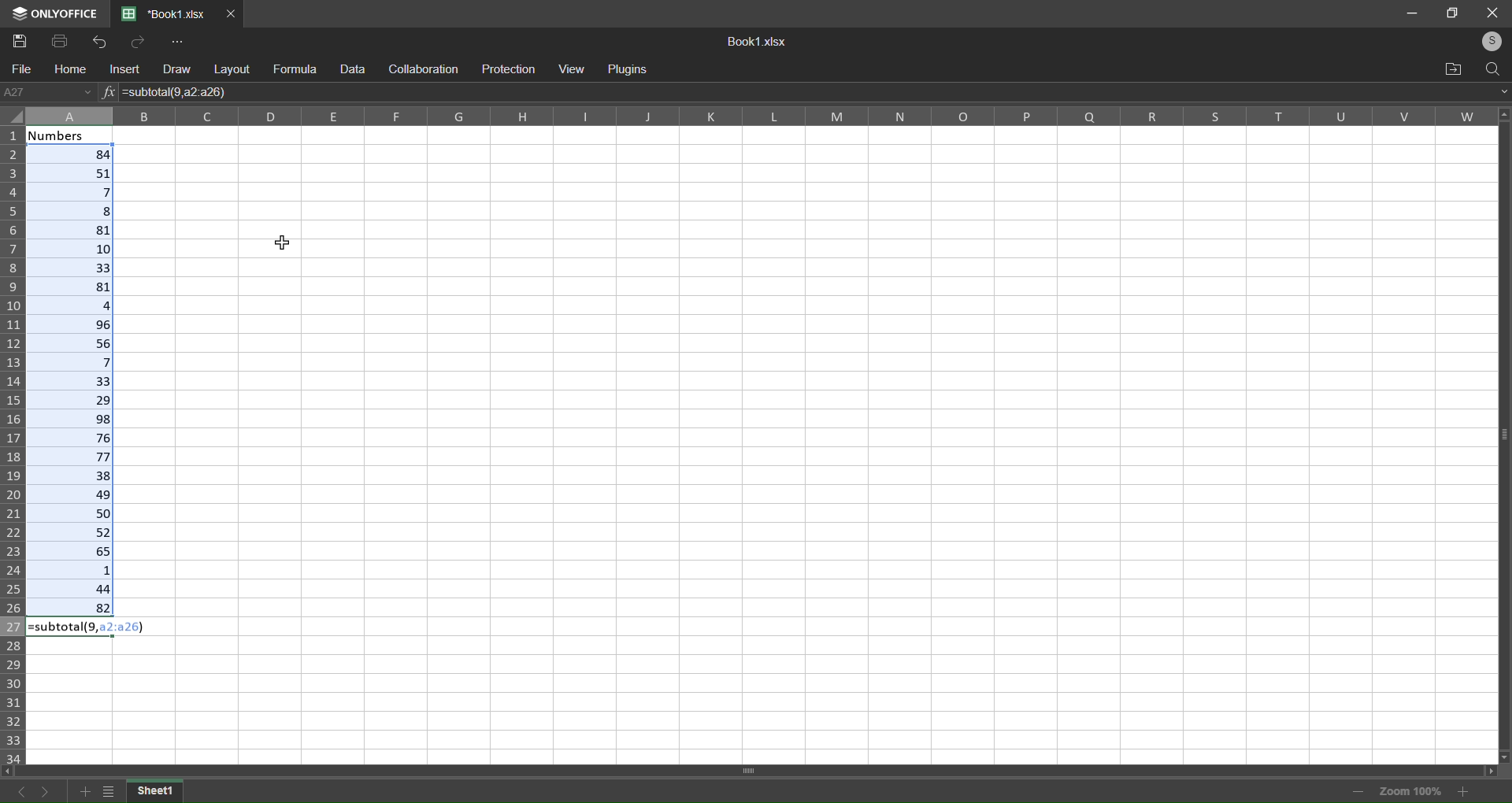 The width and height of the screenshot is (1512, 803). I want to click on selected range, so click(71, 378).